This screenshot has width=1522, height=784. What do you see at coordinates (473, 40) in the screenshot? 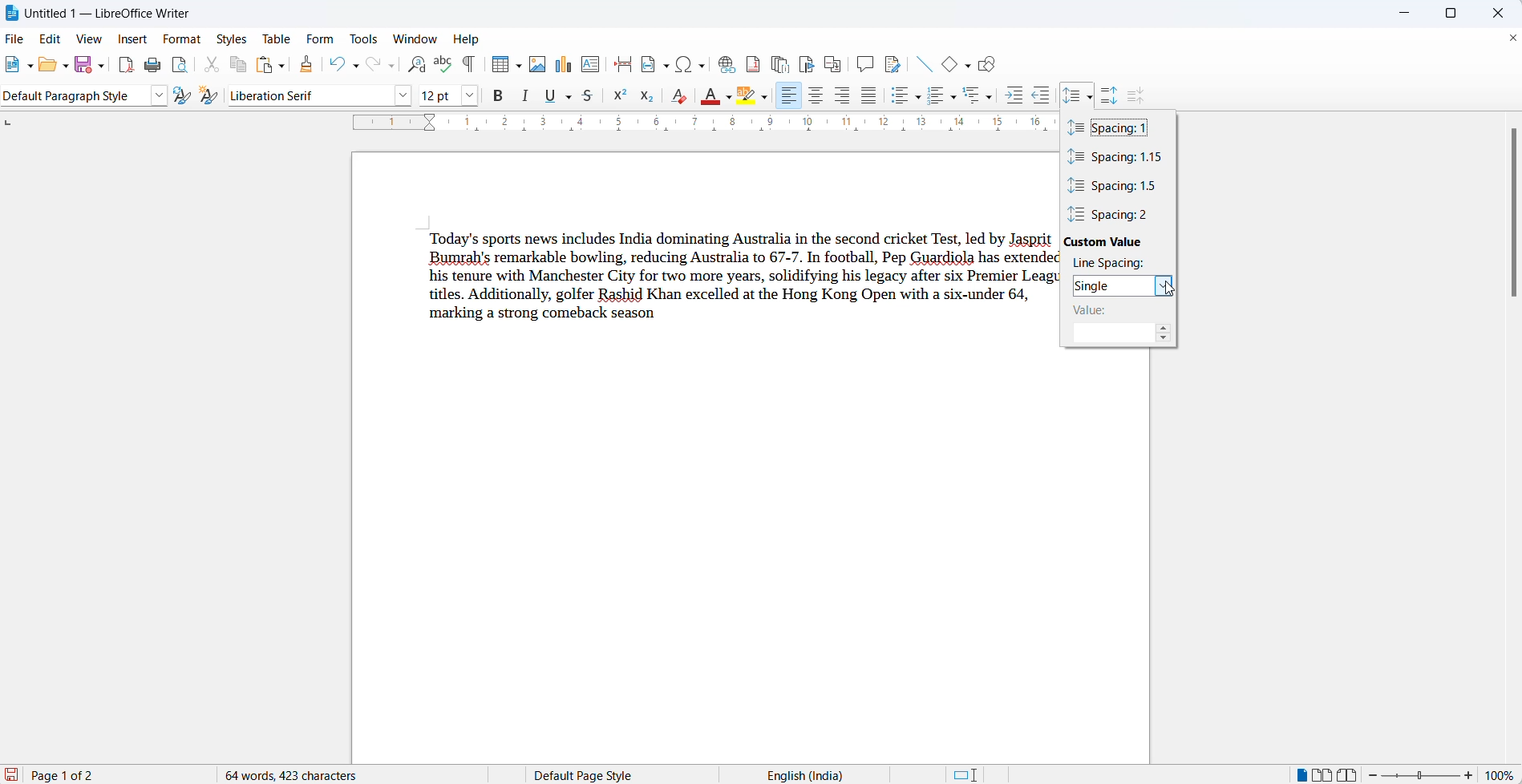
I see `help` at bounding box center [473, 40].